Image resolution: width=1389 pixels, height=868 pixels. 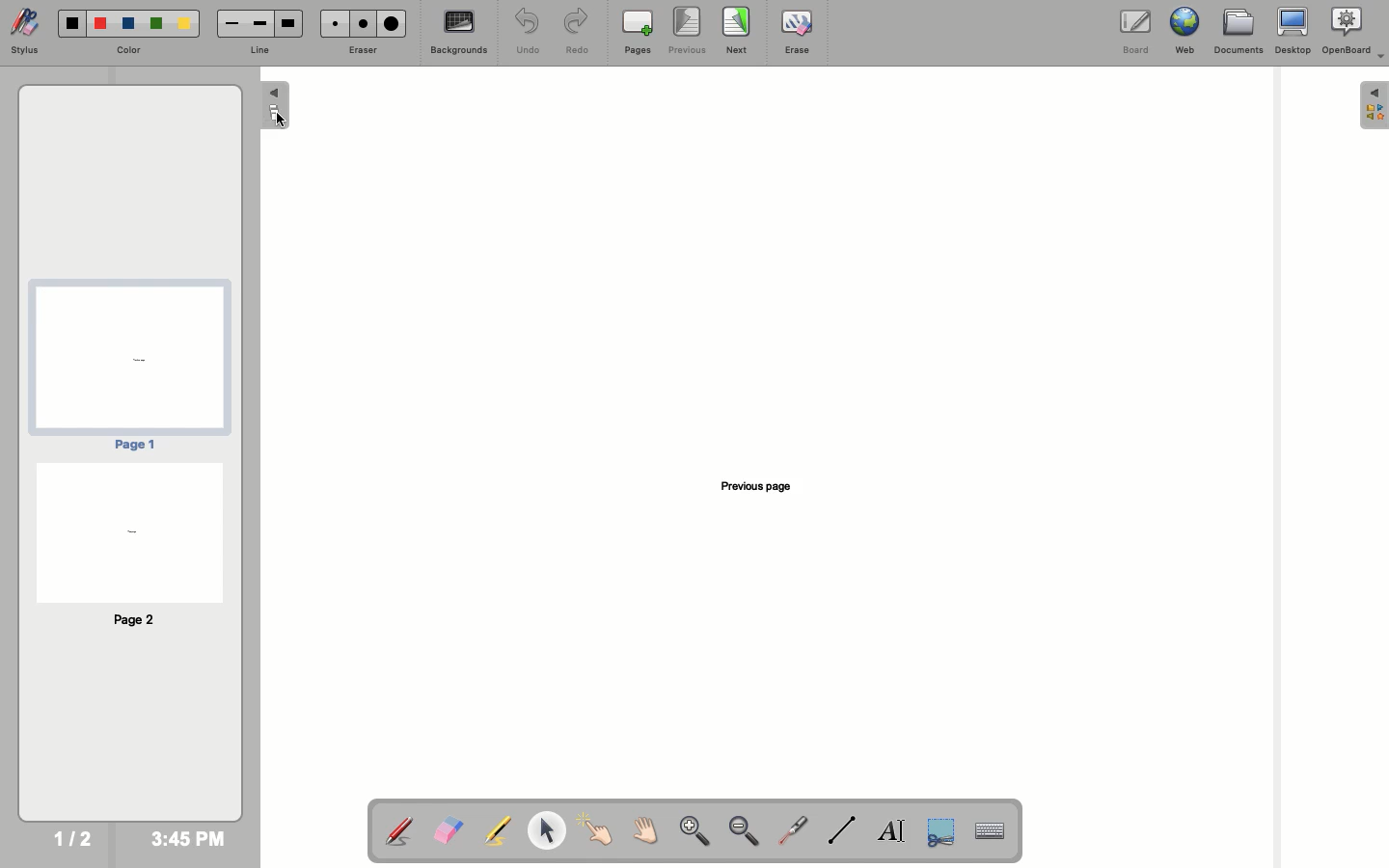 I want to click on Erase annotation, so click(x=448, y=830).